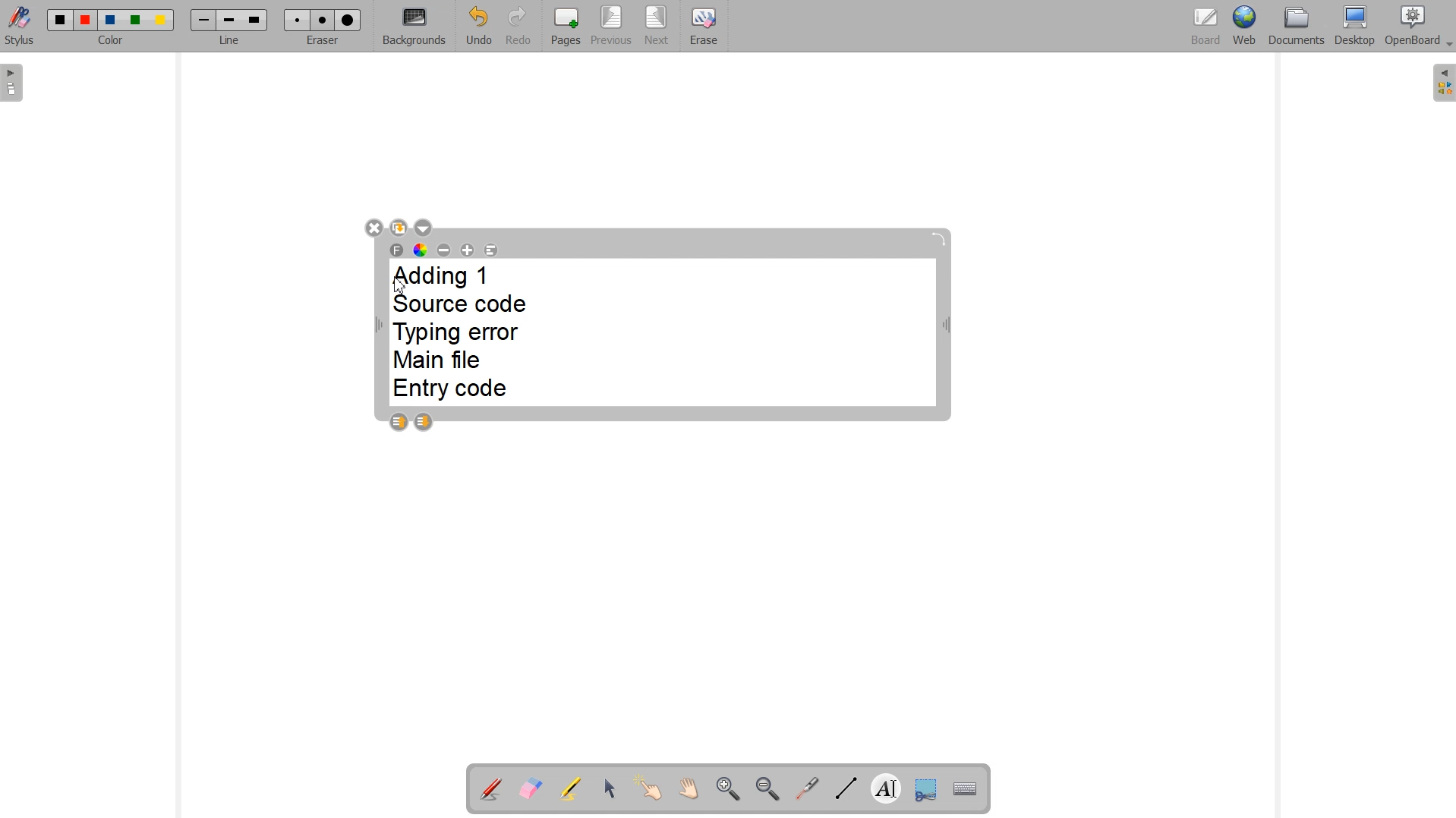 The width and height of the screenshot is (1456, 818). What do you see at coordinates (689, 790) in the screenshot?
I see `Scroll page` at bounding box center [689, 790].